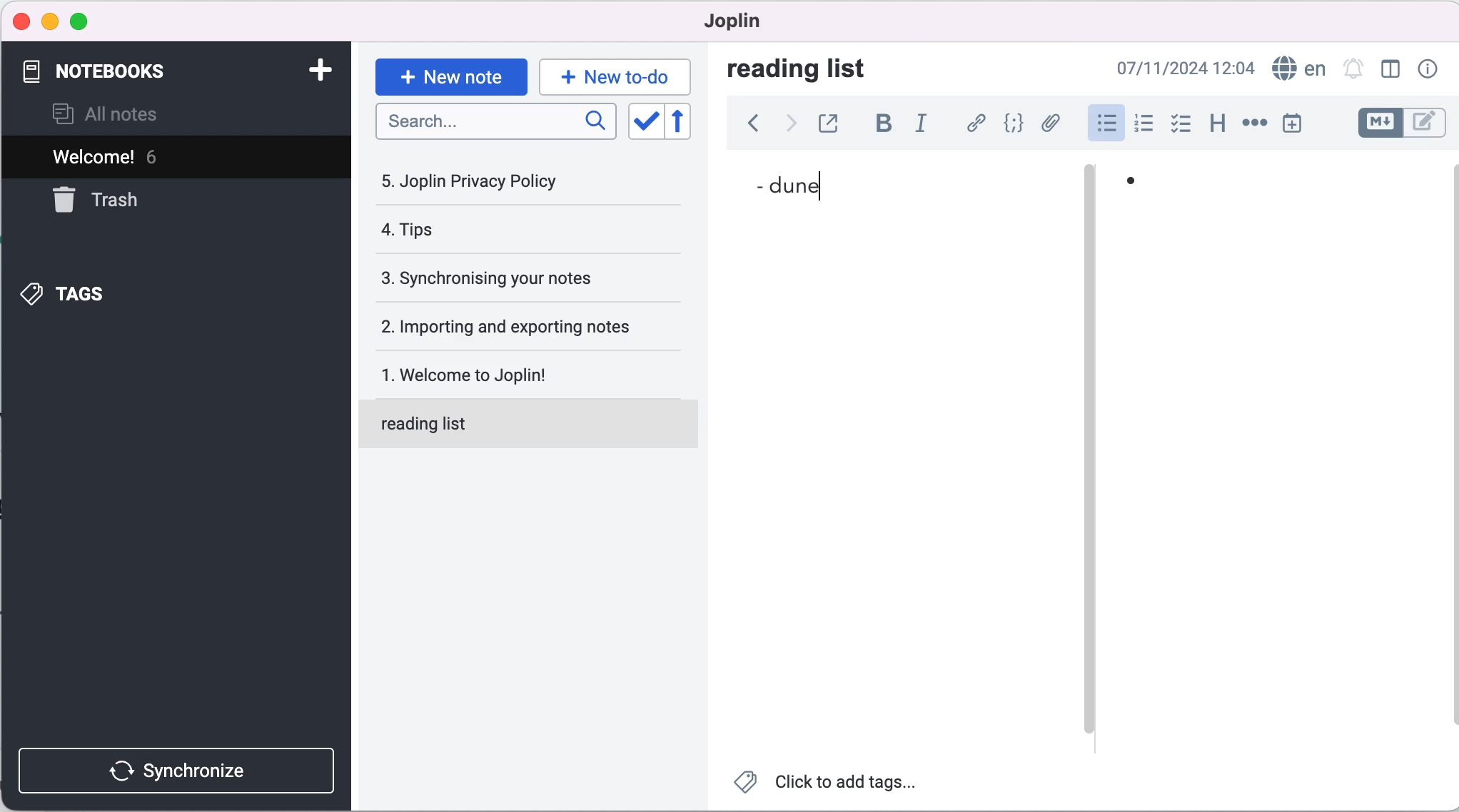  I want to click on reading list , so click(532, 422).